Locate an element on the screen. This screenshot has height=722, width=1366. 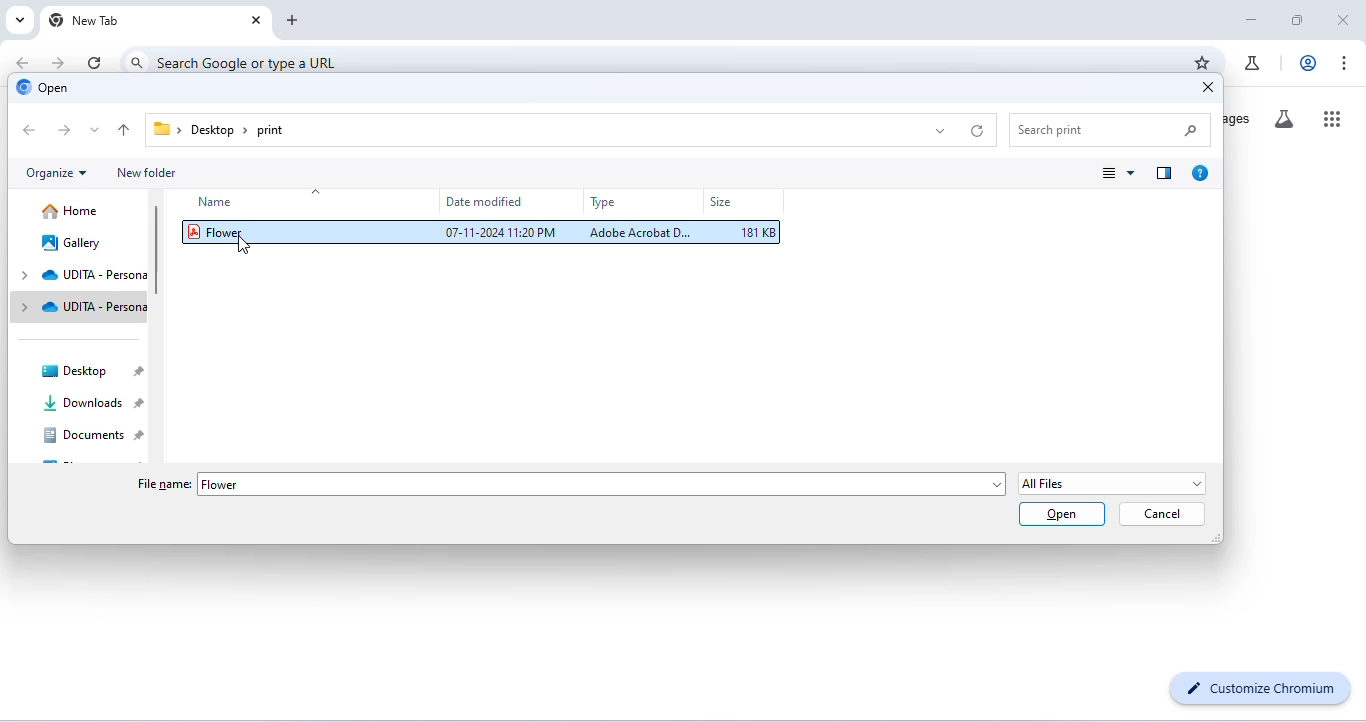
change view is located at coordinates (1119, 172).